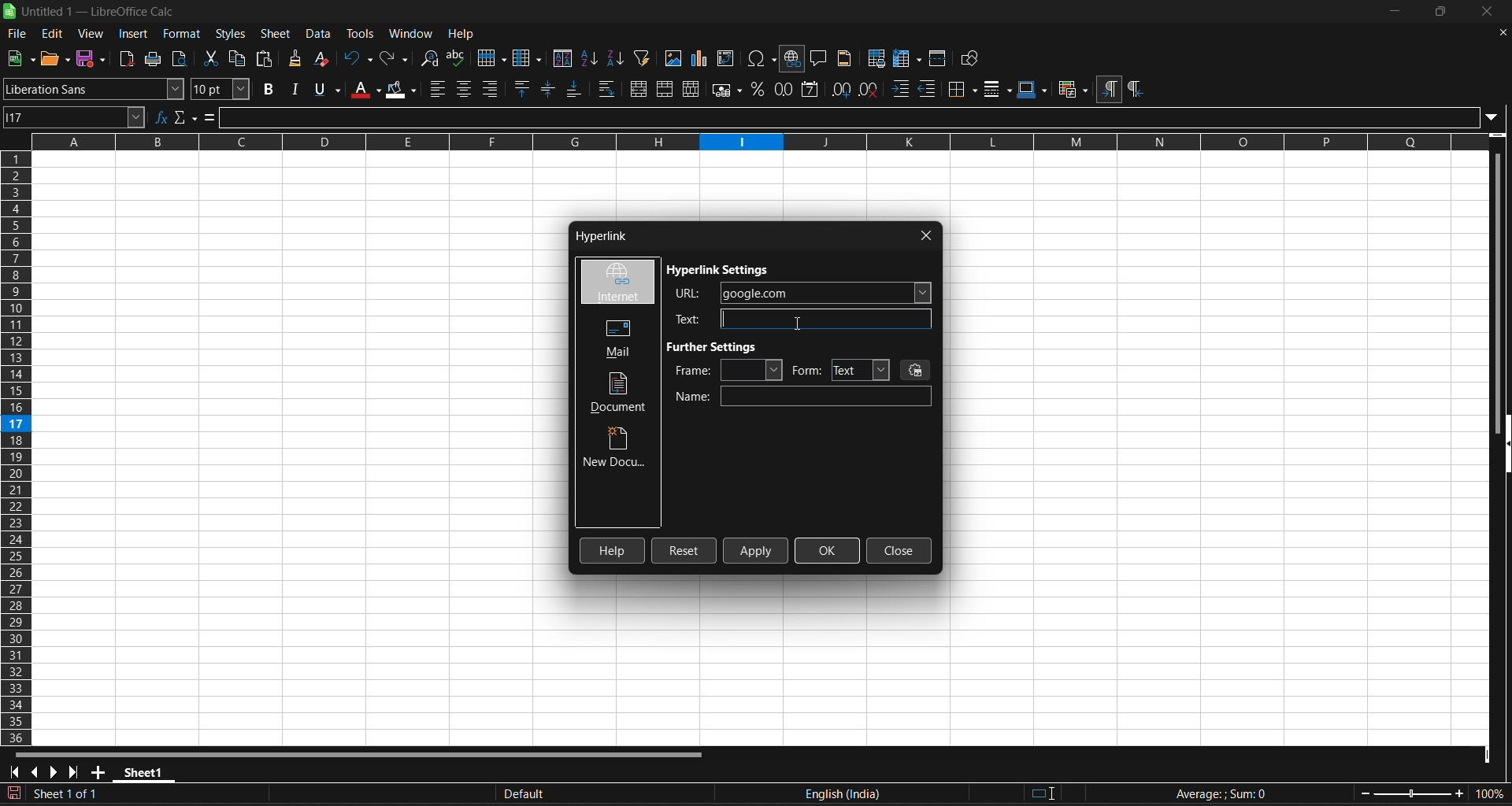 Image resolution: width=1512 pixels, height=806 pixels. I want to click on new, so click(56, 58).